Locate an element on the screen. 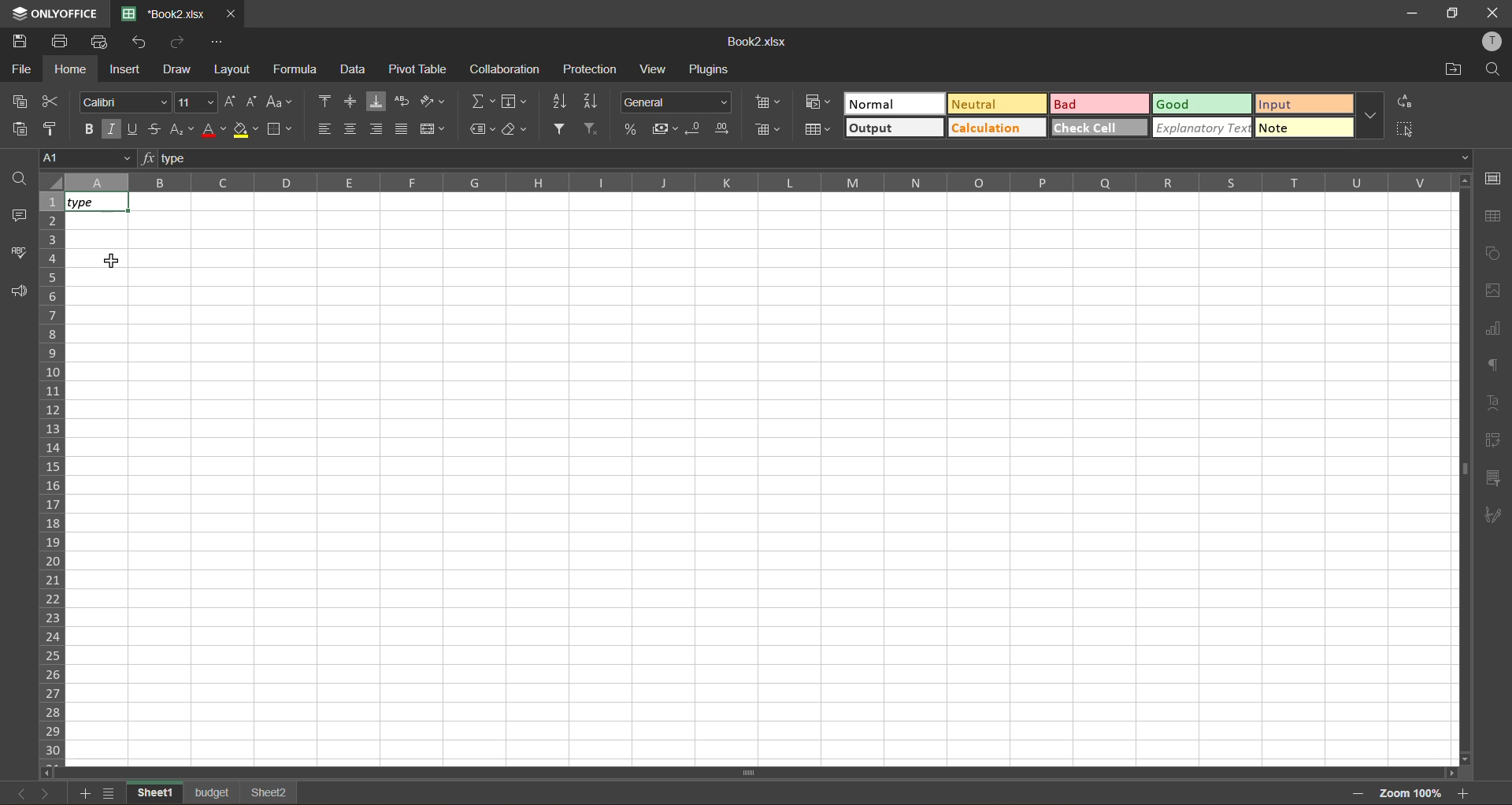  align center is located at coordinates (353, 129).